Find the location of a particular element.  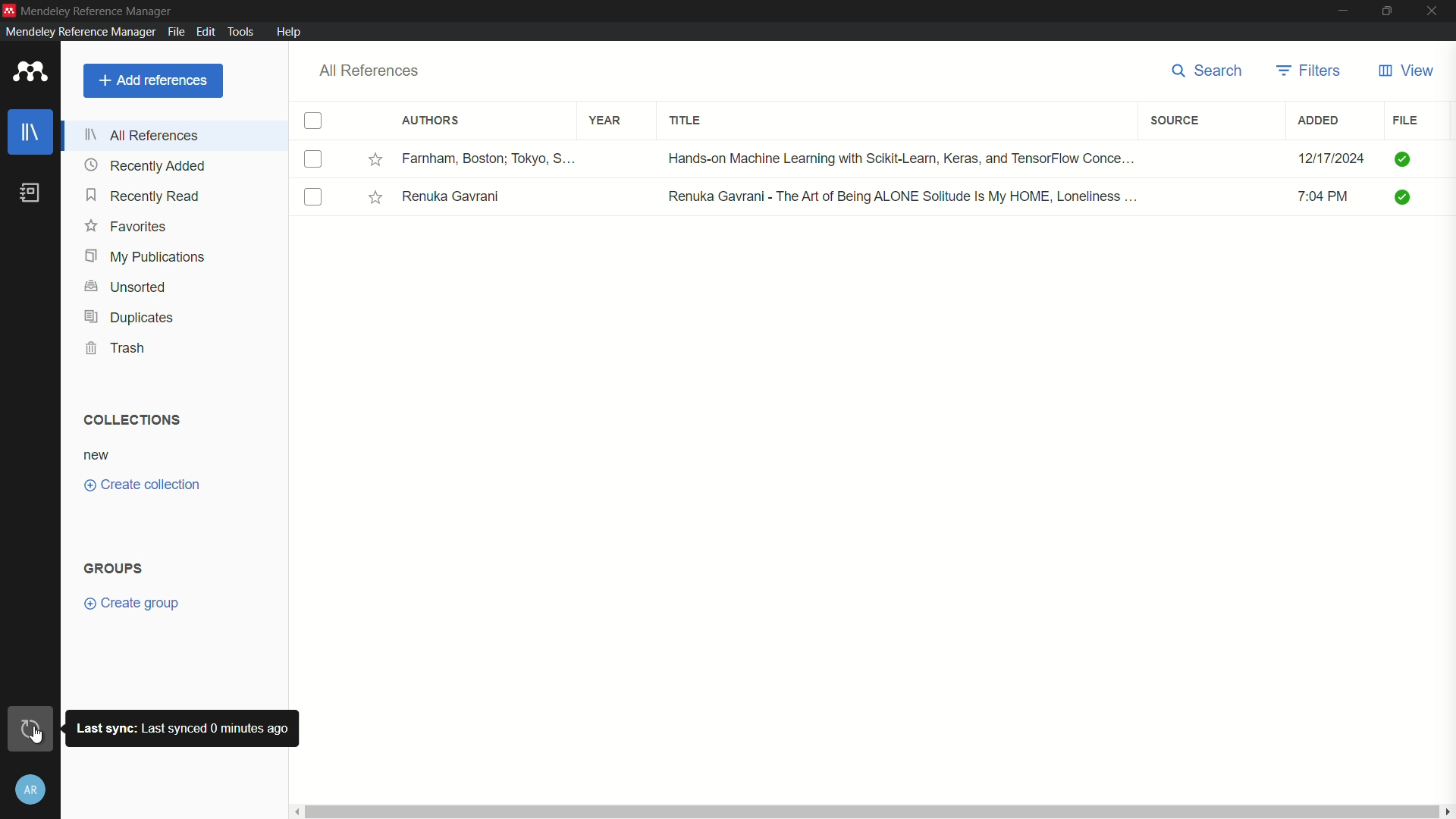

recently added is located at coordinates (143, 165).